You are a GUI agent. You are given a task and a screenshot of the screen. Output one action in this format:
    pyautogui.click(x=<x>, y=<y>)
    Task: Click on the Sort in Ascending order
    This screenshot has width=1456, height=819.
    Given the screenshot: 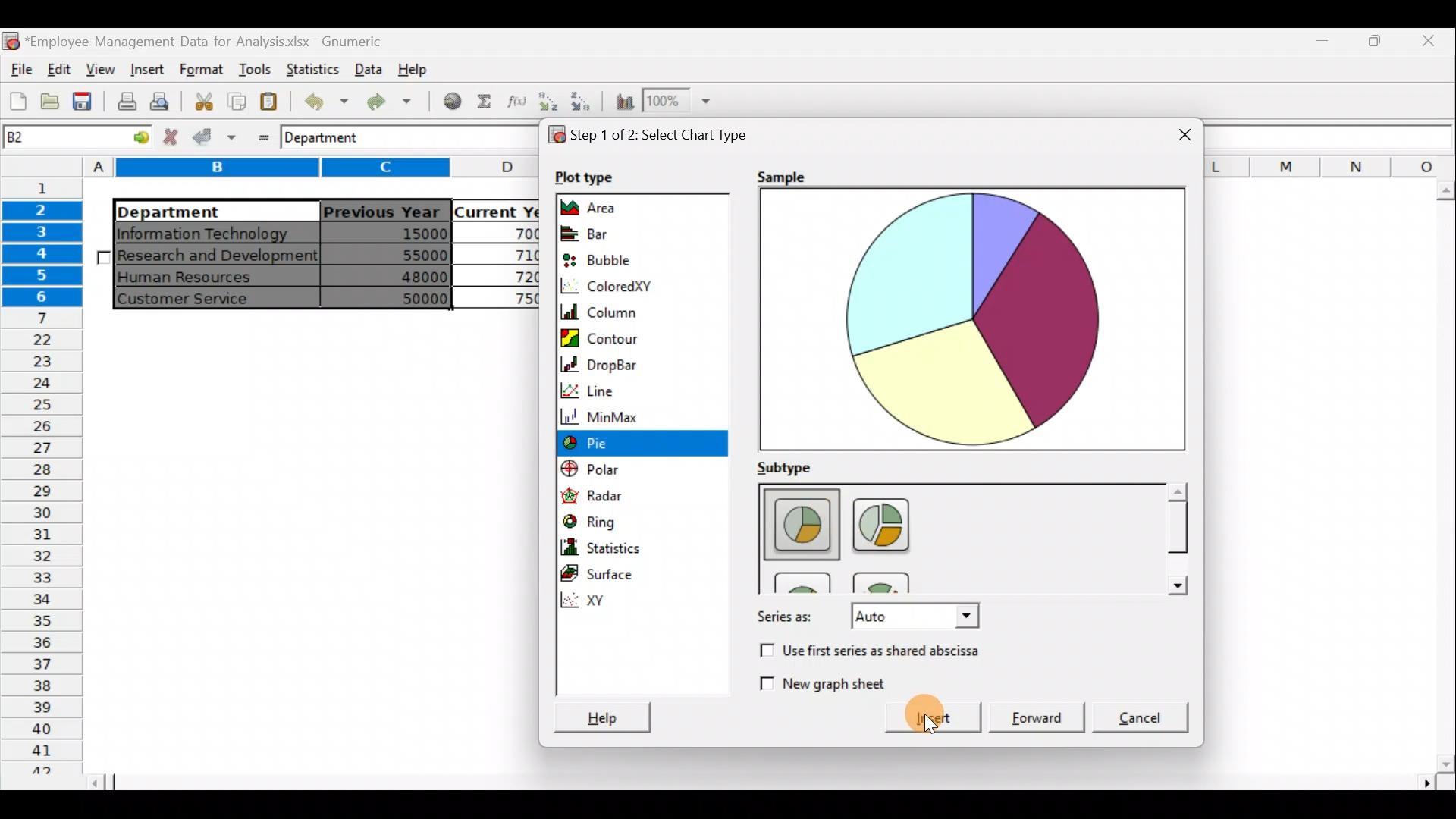 What is the action you would take?
    pyautogui.click(x=548, y=101)
    